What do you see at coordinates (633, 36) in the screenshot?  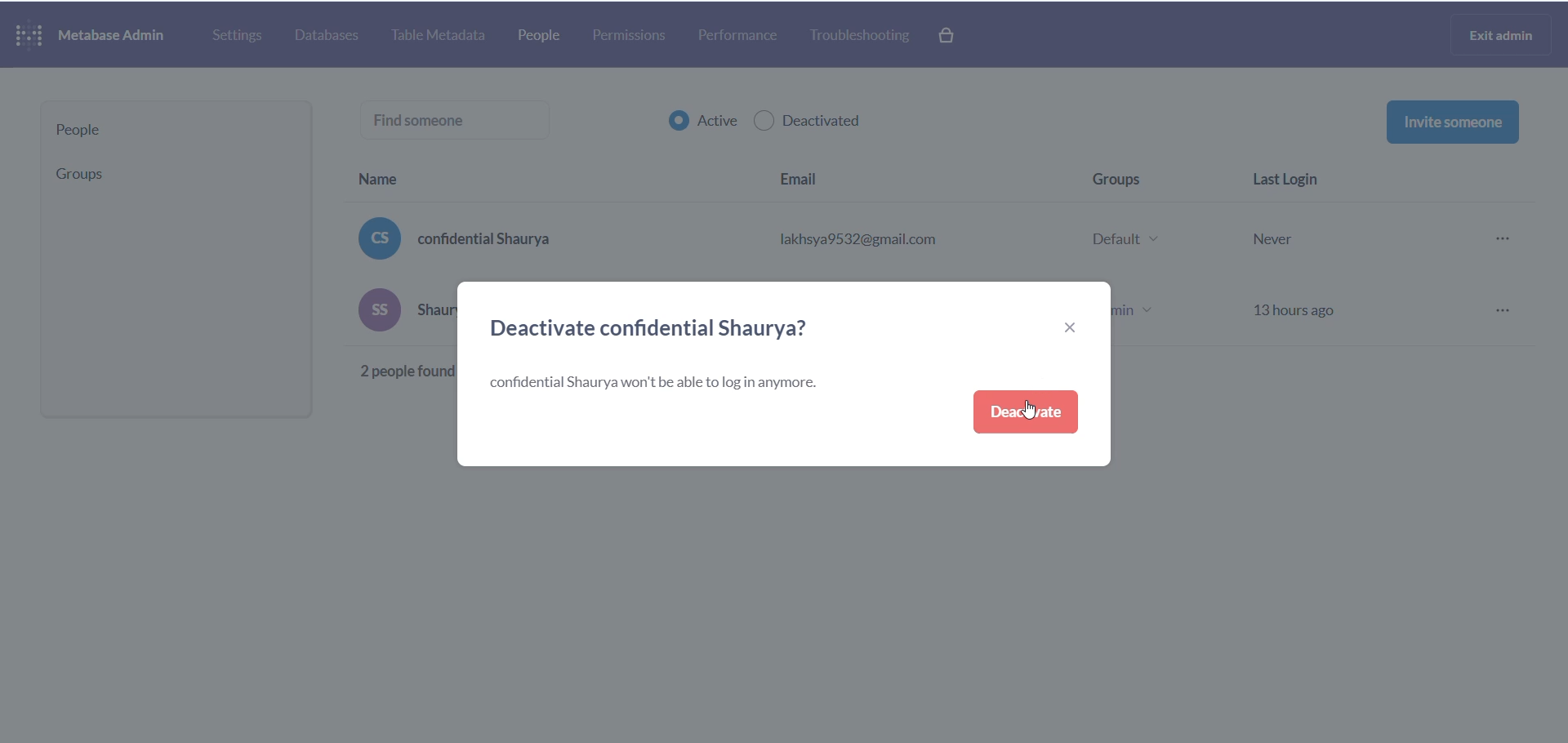 I see `permissions` at bounding box center [633, 36].